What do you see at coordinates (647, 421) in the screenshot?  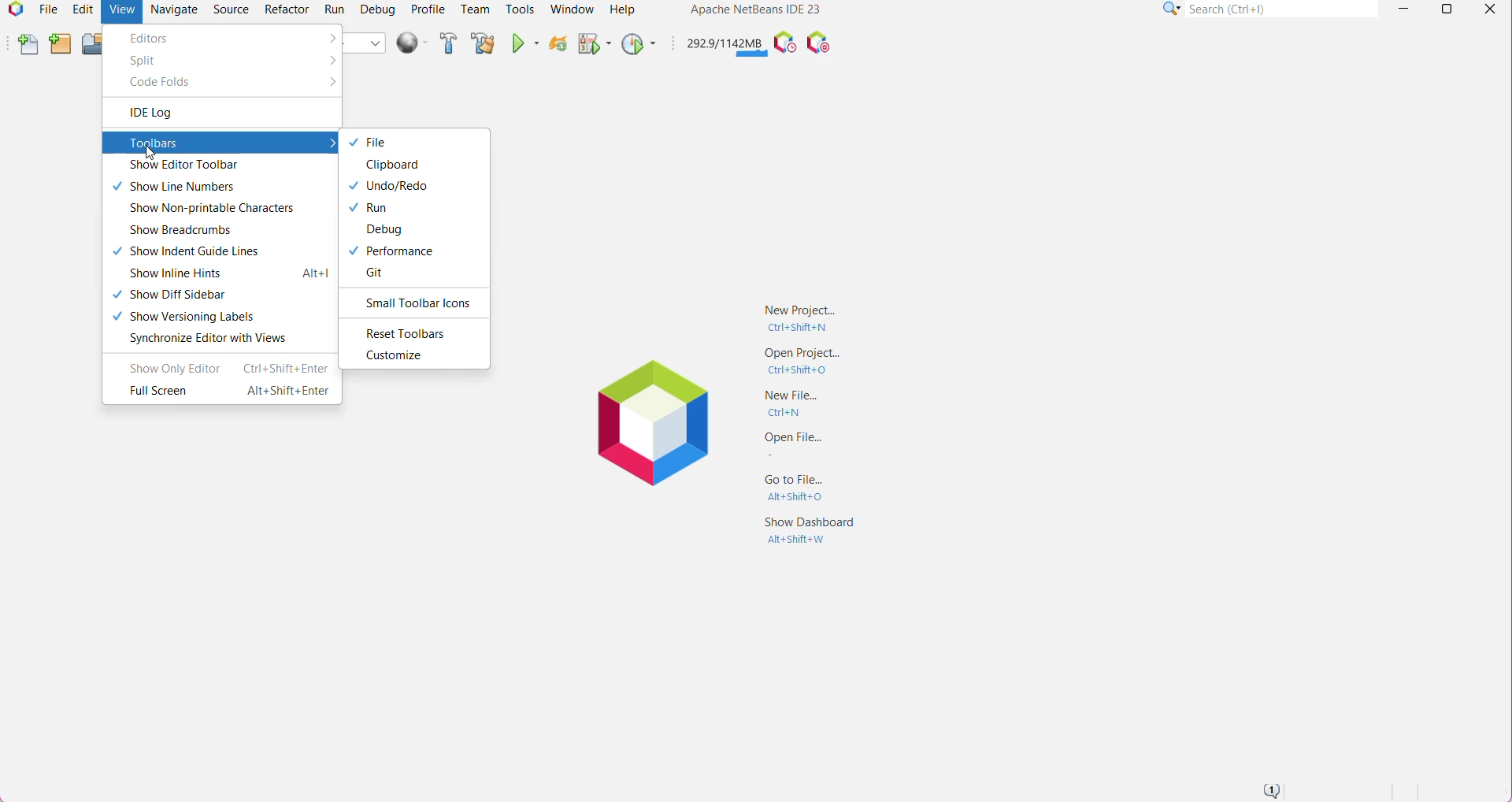 I see `Application Logo` at bounding box center [647, 421].